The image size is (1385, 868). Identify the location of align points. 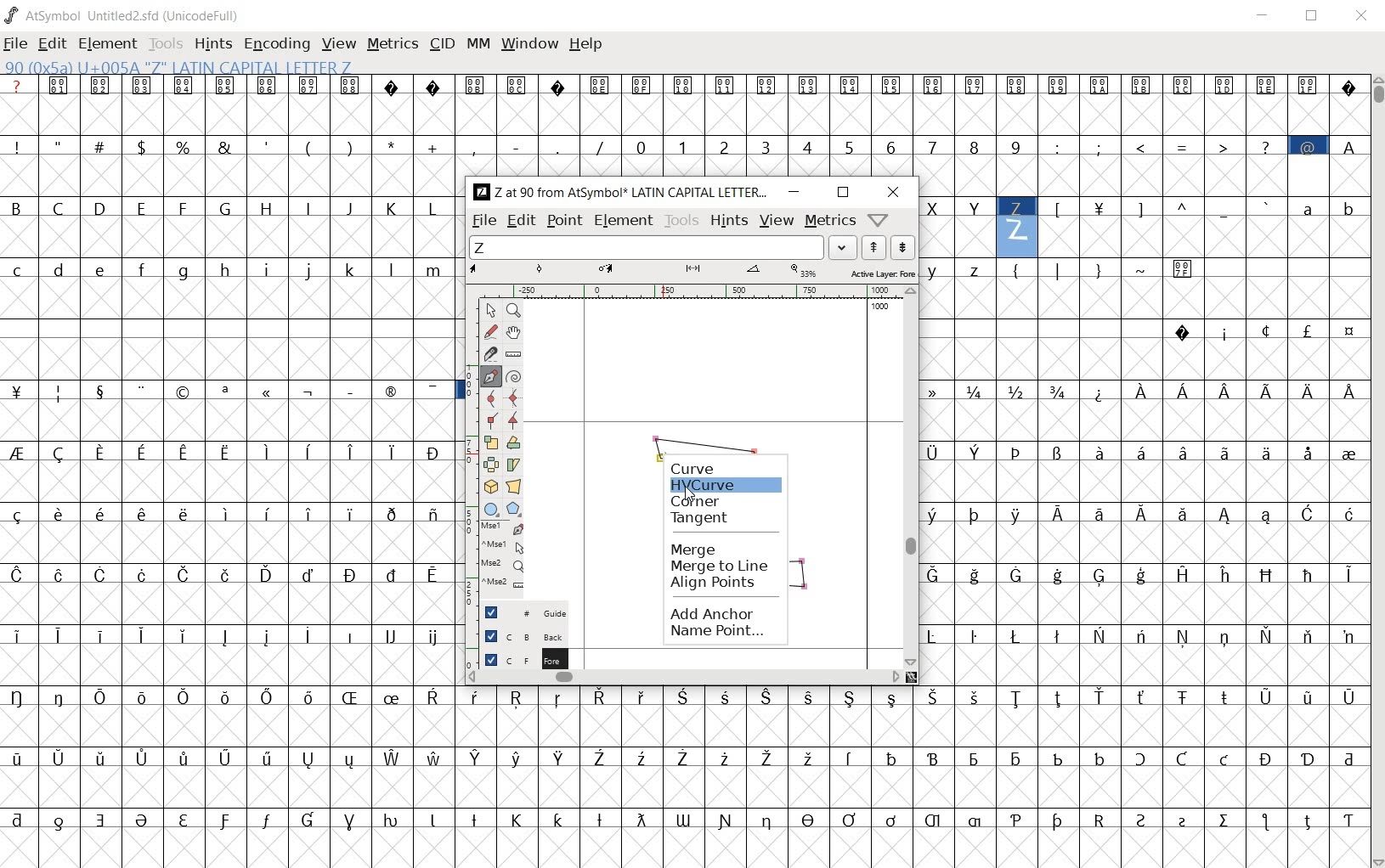
(716, 584).